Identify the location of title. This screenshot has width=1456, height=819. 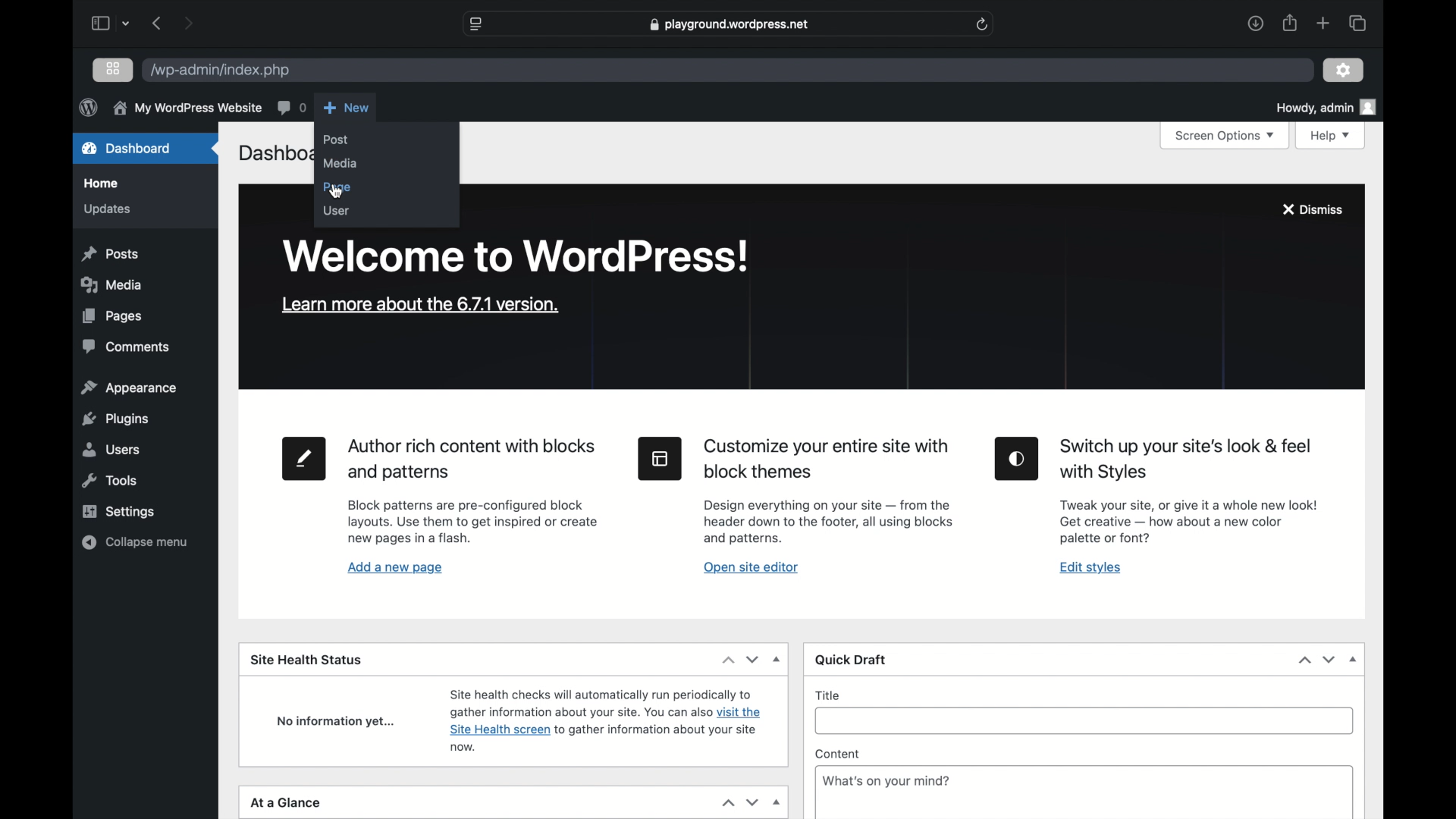
(830, 695).